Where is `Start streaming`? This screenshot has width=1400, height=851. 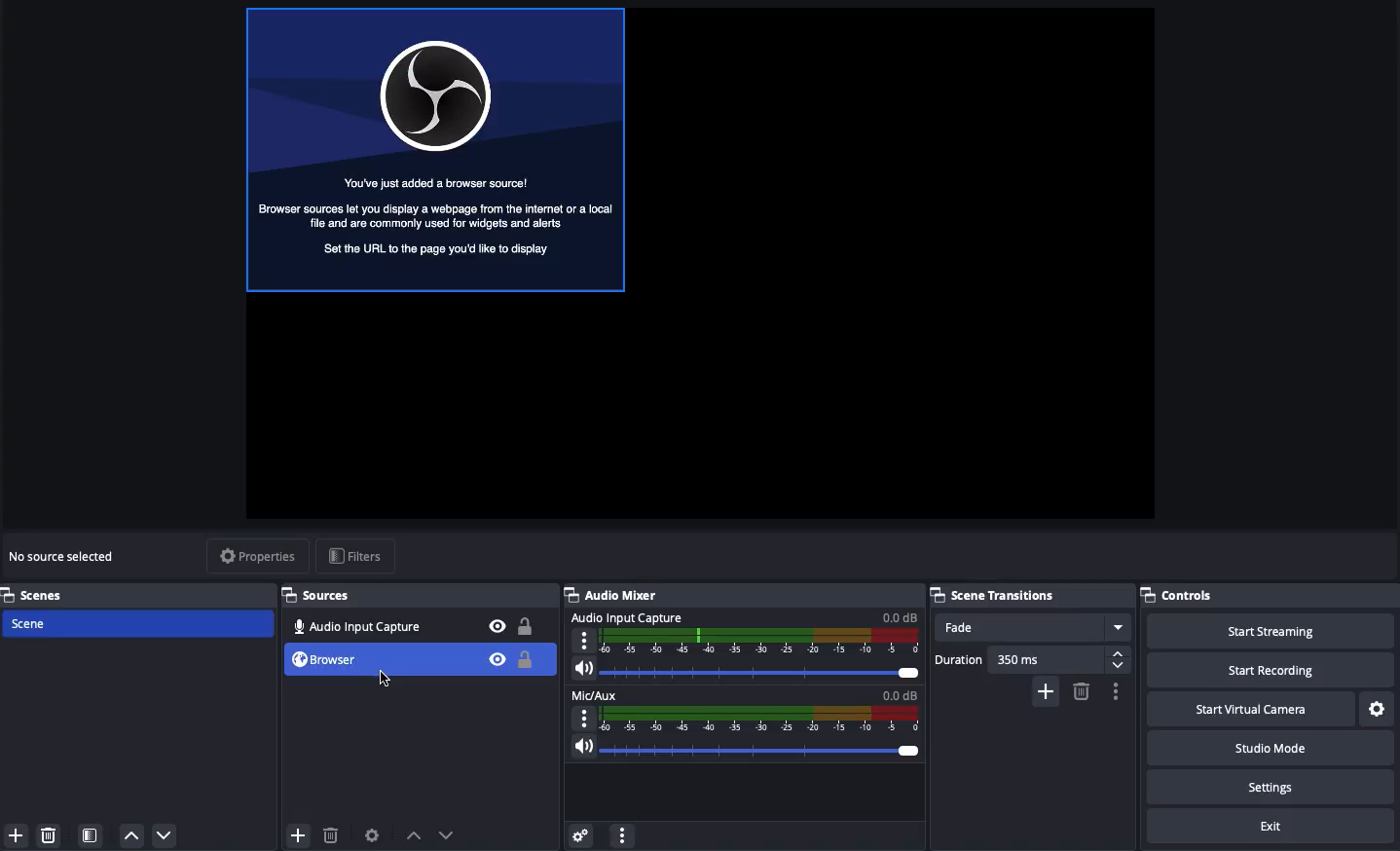 Start streaming is located at coordinates (1262, 631).